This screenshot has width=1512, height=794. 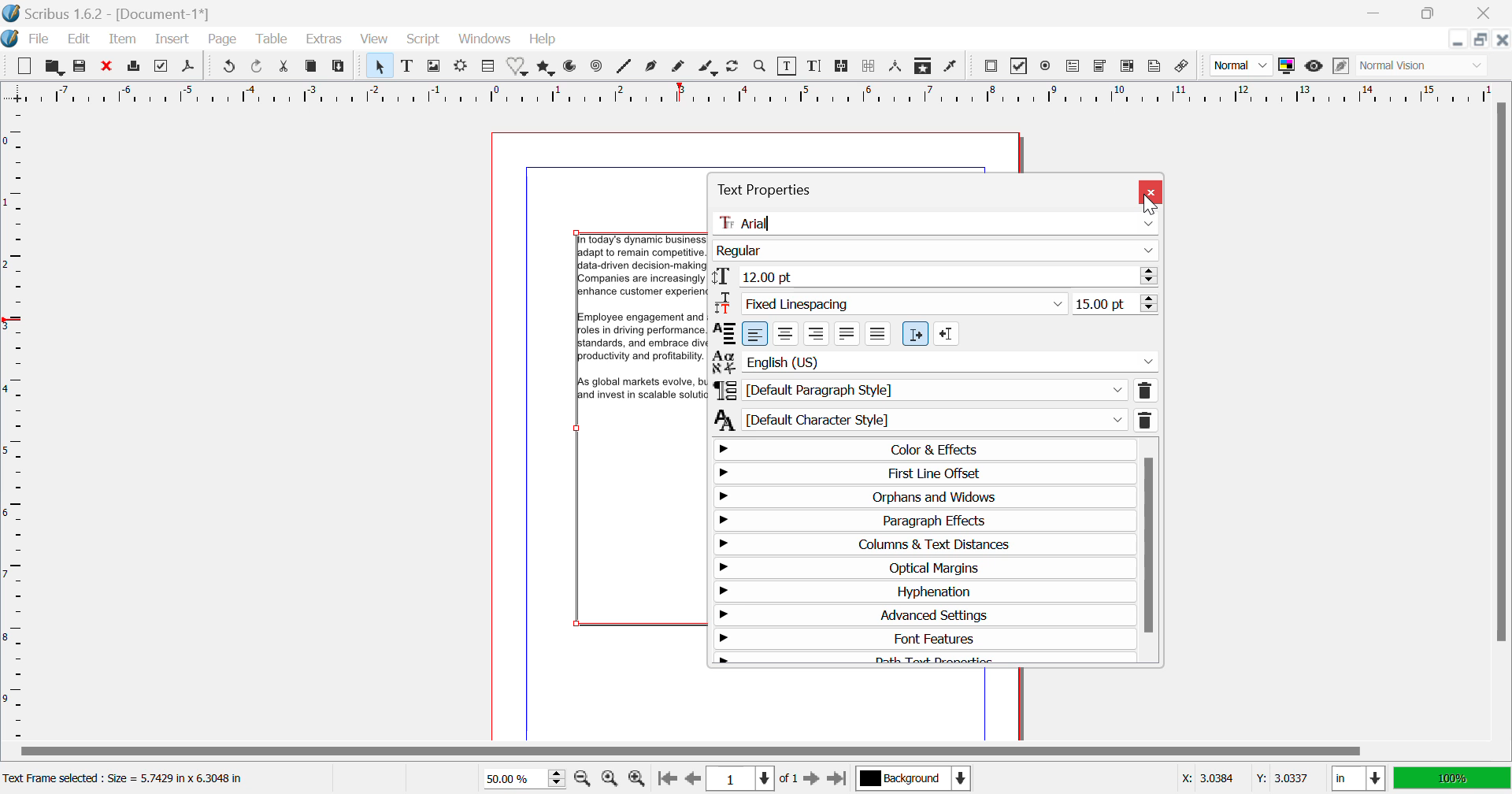 I want to click on Cursor Position, so click(x=1248, y=779).